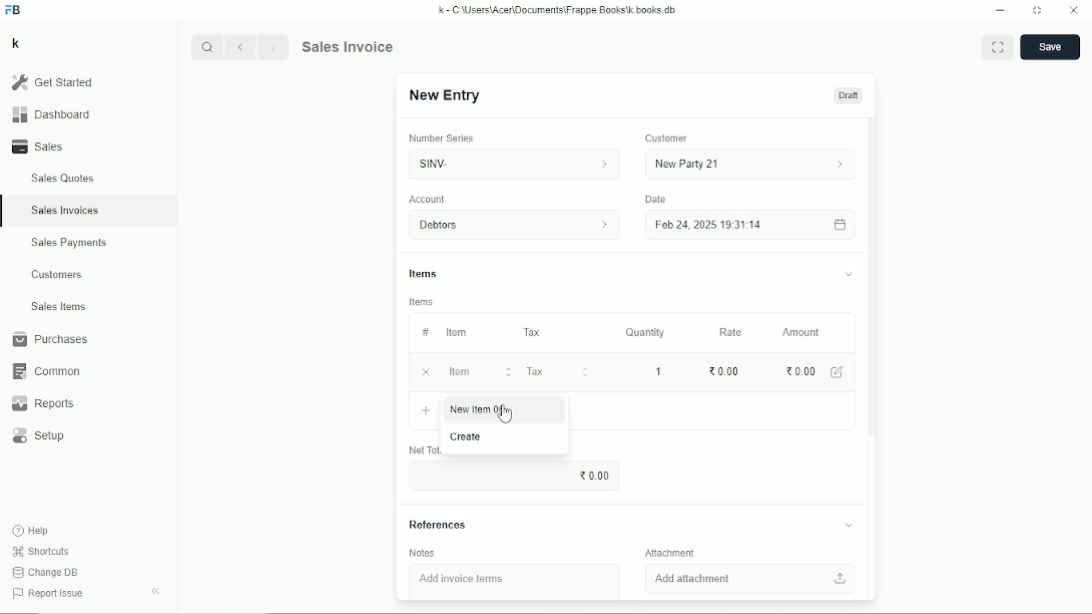 This screenshot has width=1092, height=614. Describe the element at coordinates (483, 409) in the screenshot. I see `New item 06` at that location.